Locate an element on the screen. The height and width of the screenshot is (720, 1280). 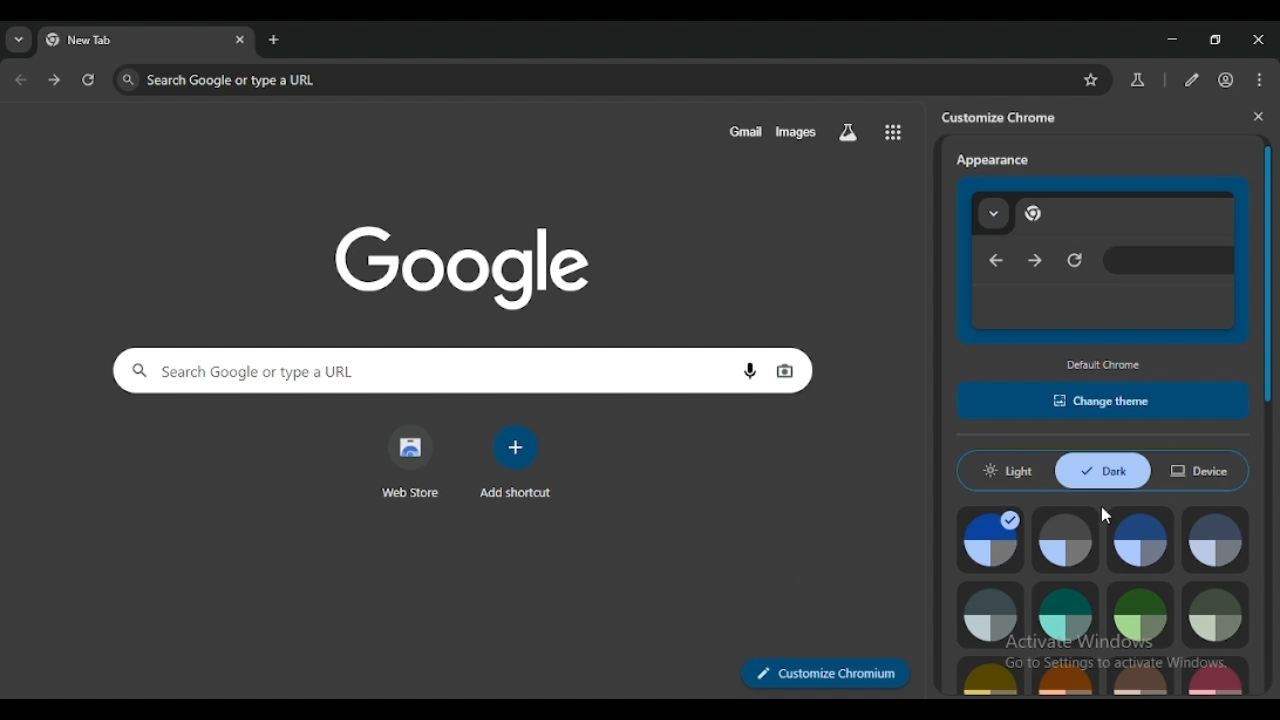
aqua is located at coordinates (1066, 615).